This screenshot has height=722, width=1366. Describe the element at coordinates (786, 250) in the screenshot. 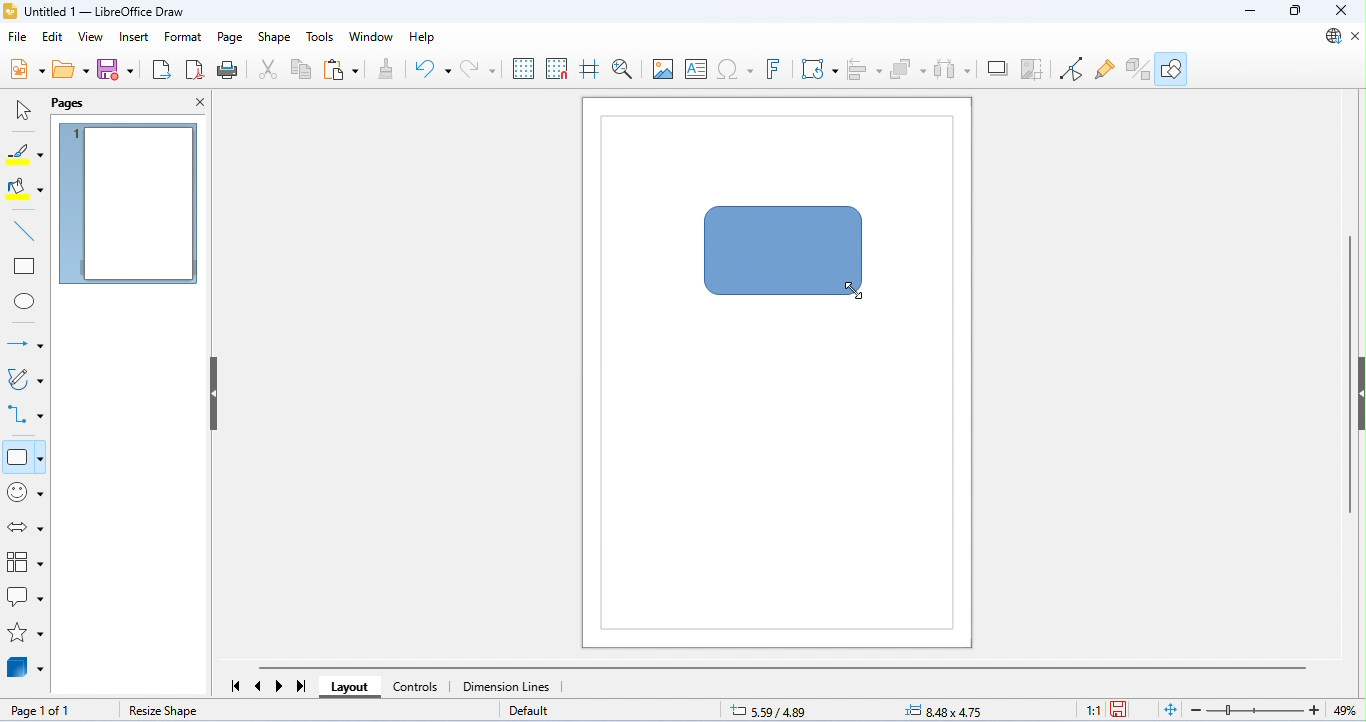

I see `rounded rectangle has been dragged and mouse up` at that location.